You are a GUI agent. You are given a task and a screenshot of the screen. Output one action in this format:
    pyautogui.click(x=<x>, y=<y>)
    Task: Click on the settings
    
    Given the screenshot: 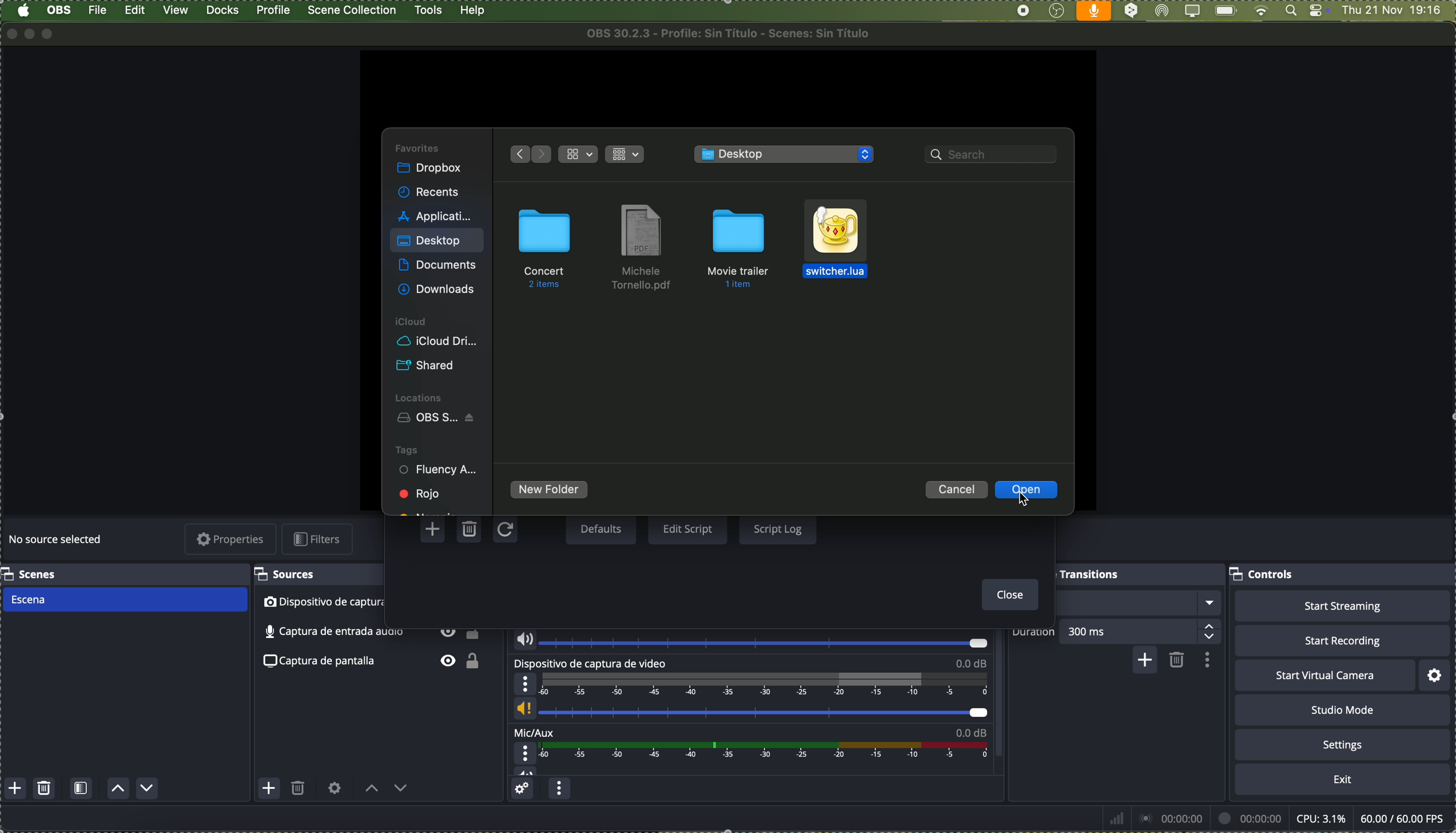 What is the action you would take?
    pyautogui.click(x=1343, y=744)
    